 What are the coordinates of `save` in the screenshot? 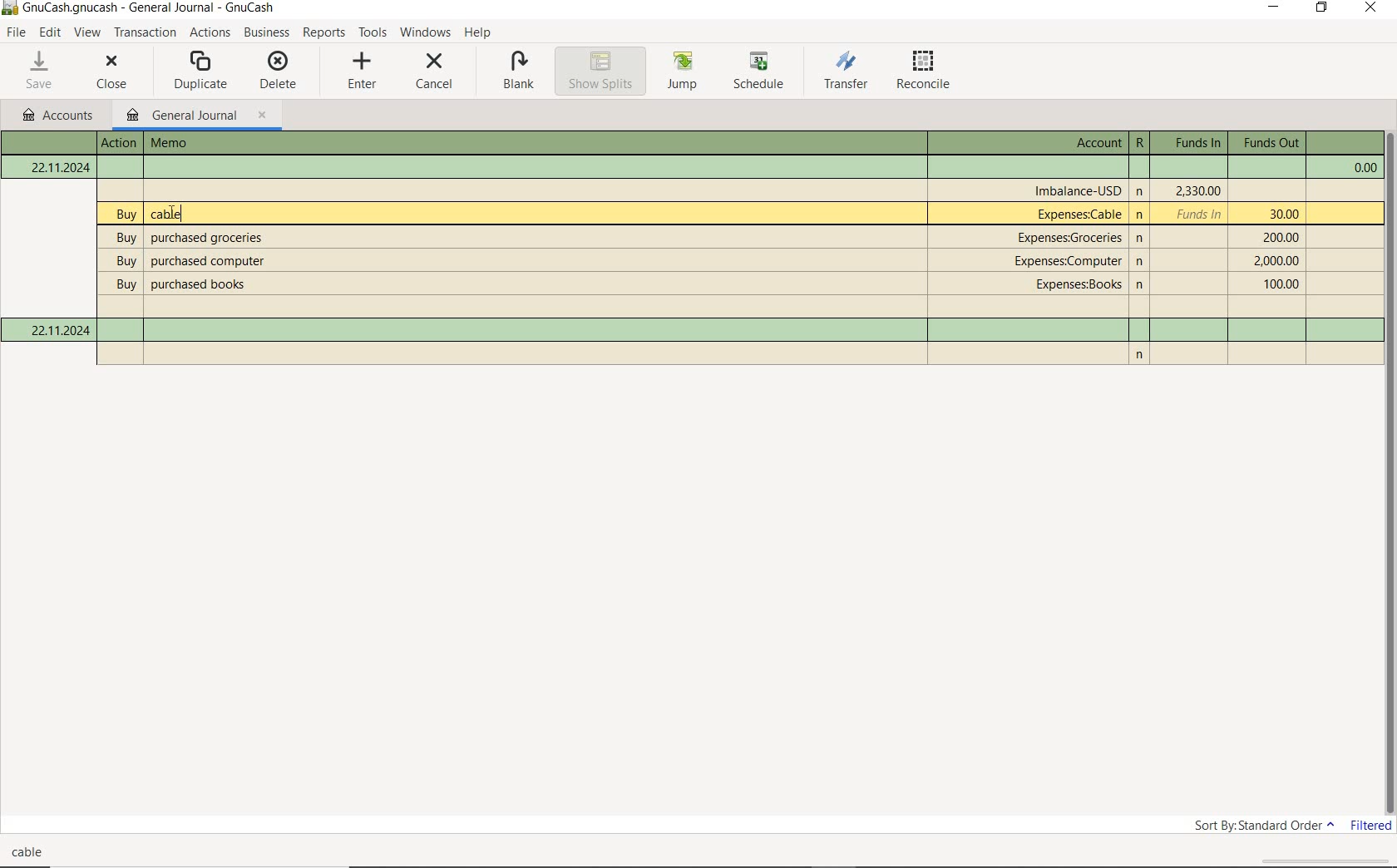 It's located at (41, 71).